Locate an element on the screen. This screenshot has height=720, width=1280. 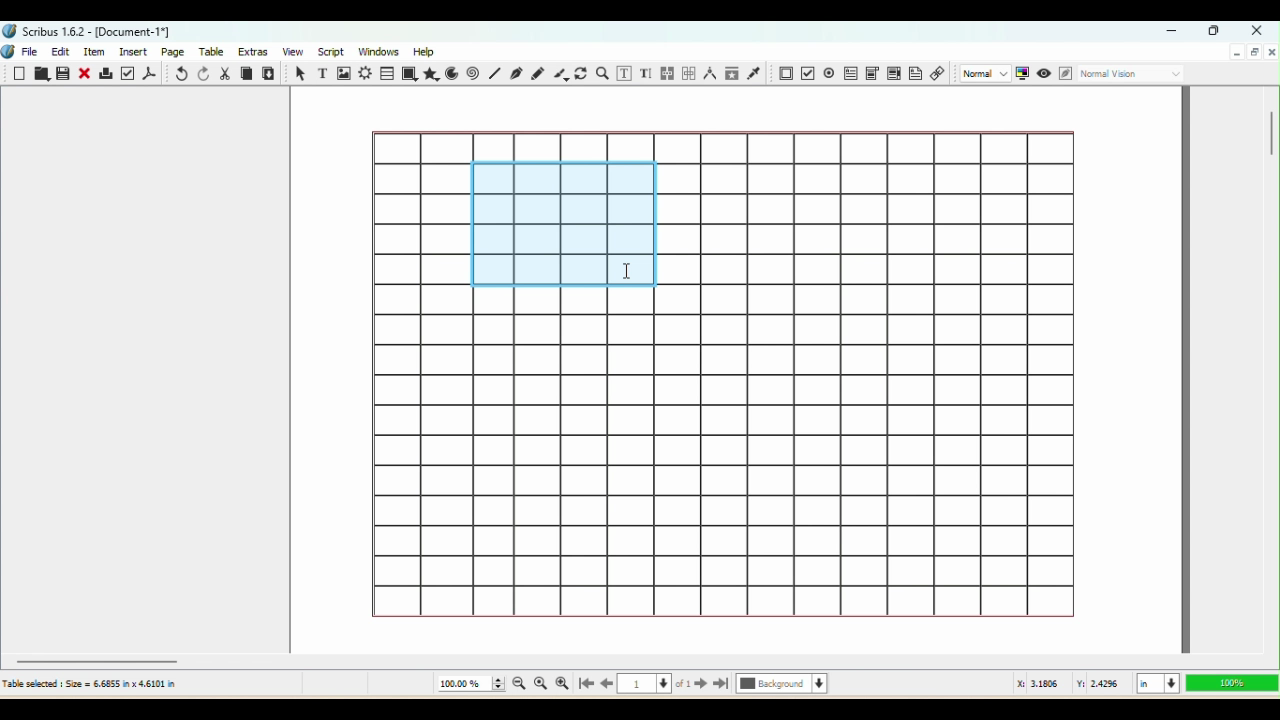
Logo is located at coordinates (9, 53).